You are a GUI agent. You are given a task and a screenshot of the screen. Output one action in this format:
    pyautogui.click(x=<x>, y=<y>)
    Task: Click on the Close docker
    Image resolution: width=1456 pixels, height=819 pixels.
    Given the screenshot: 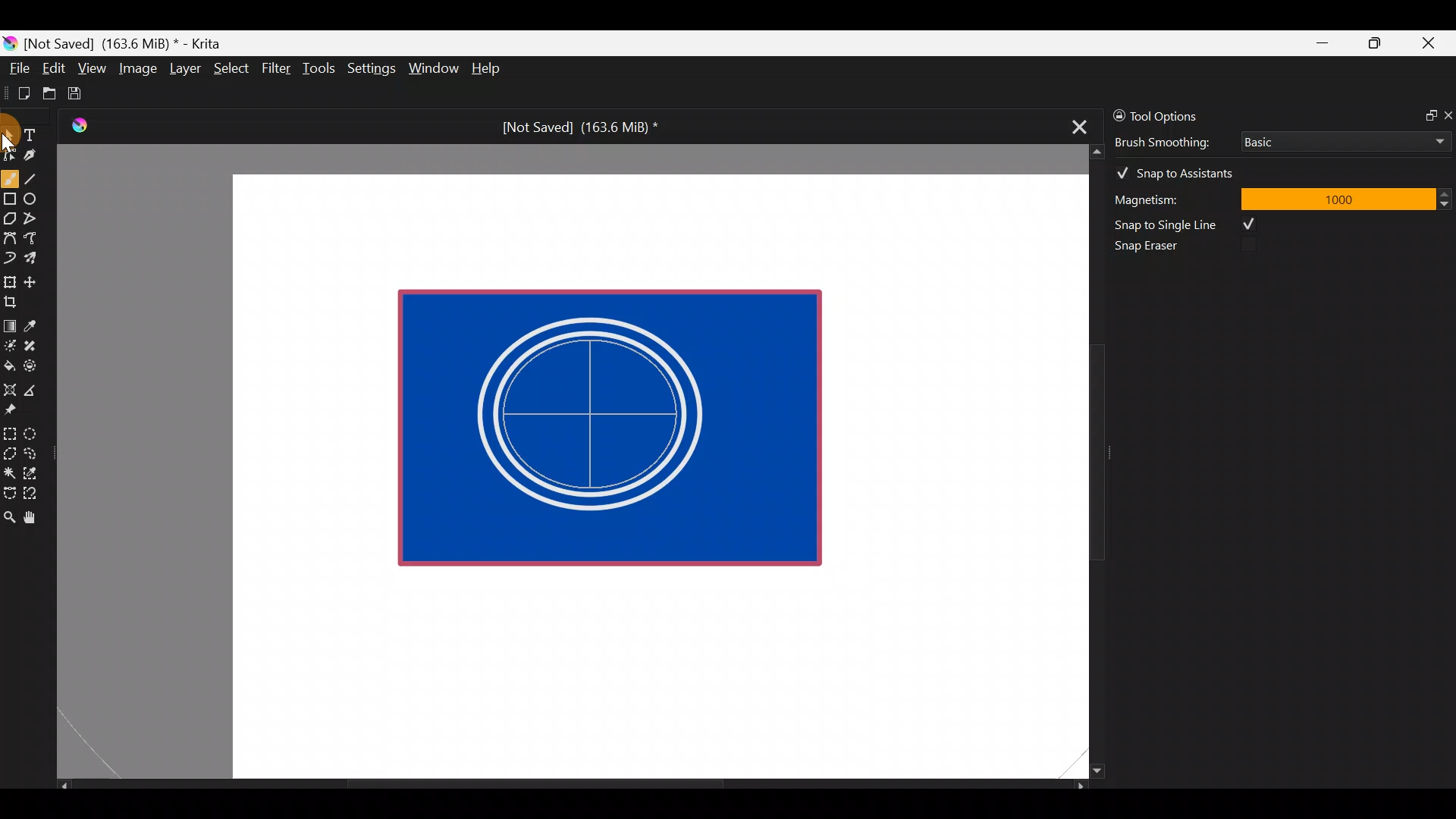 What is the action you would take?
    pyautogui.click(x=1447, y=115)
    